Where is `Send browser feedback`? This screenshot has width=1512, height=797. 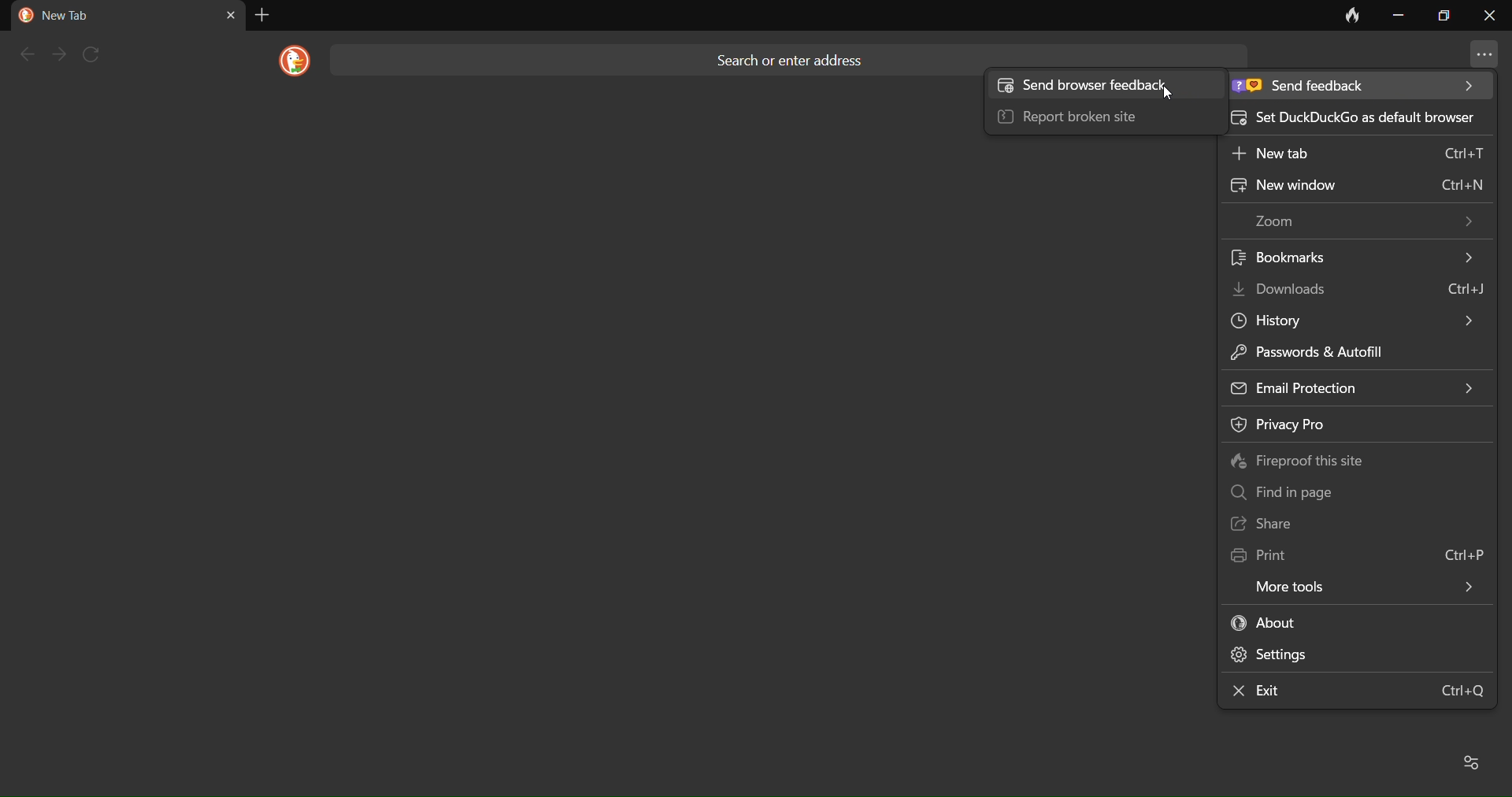 Send browser feedback is located at coordinates (1101, 87).